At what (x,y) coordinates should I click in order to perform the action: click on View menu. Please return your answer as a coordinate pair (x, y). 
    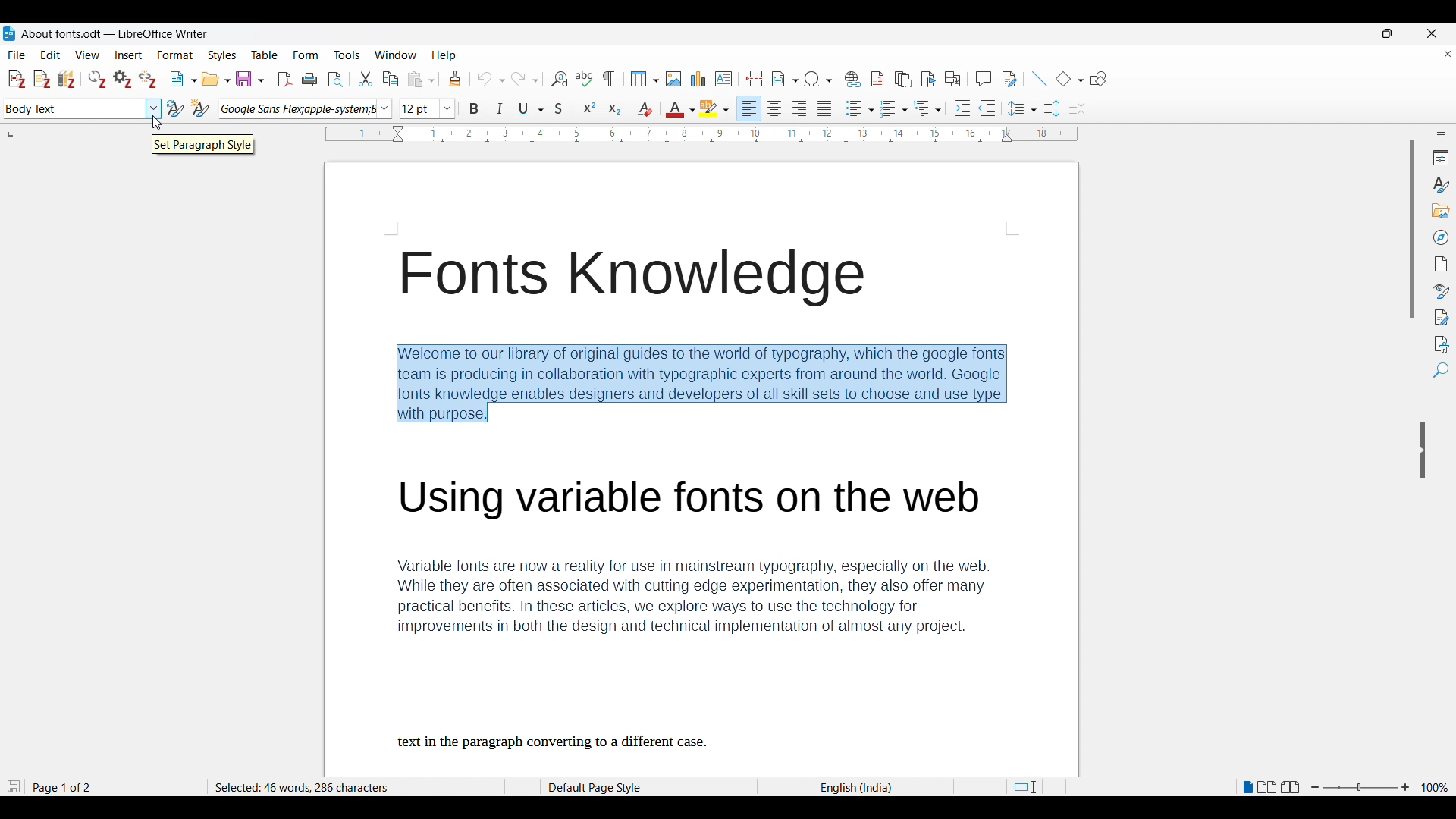
    Looking at the image, I should click on (88, 55).